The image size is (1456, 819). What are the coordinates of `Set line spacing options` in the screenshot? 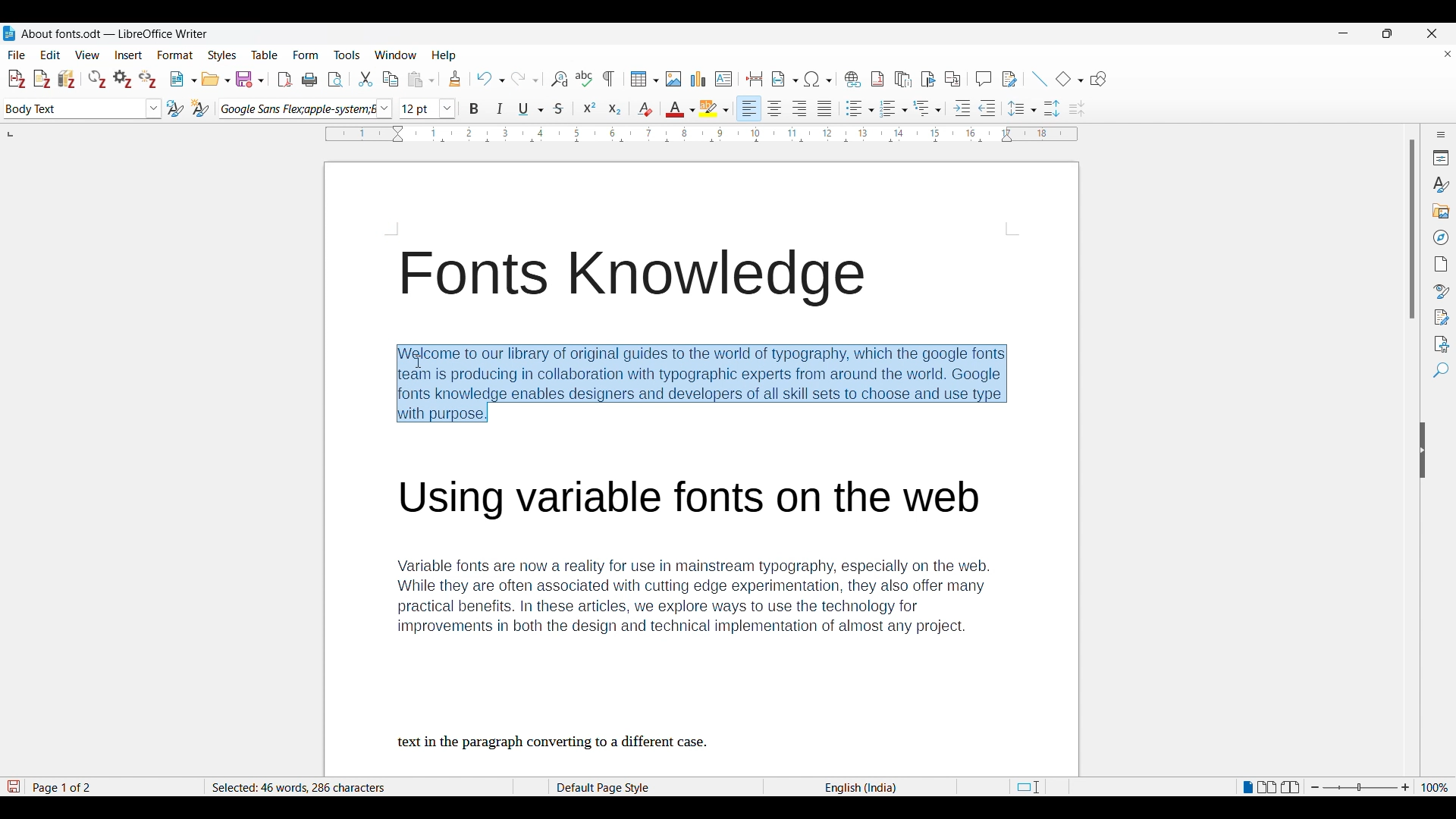 It's located at (1022, 108).